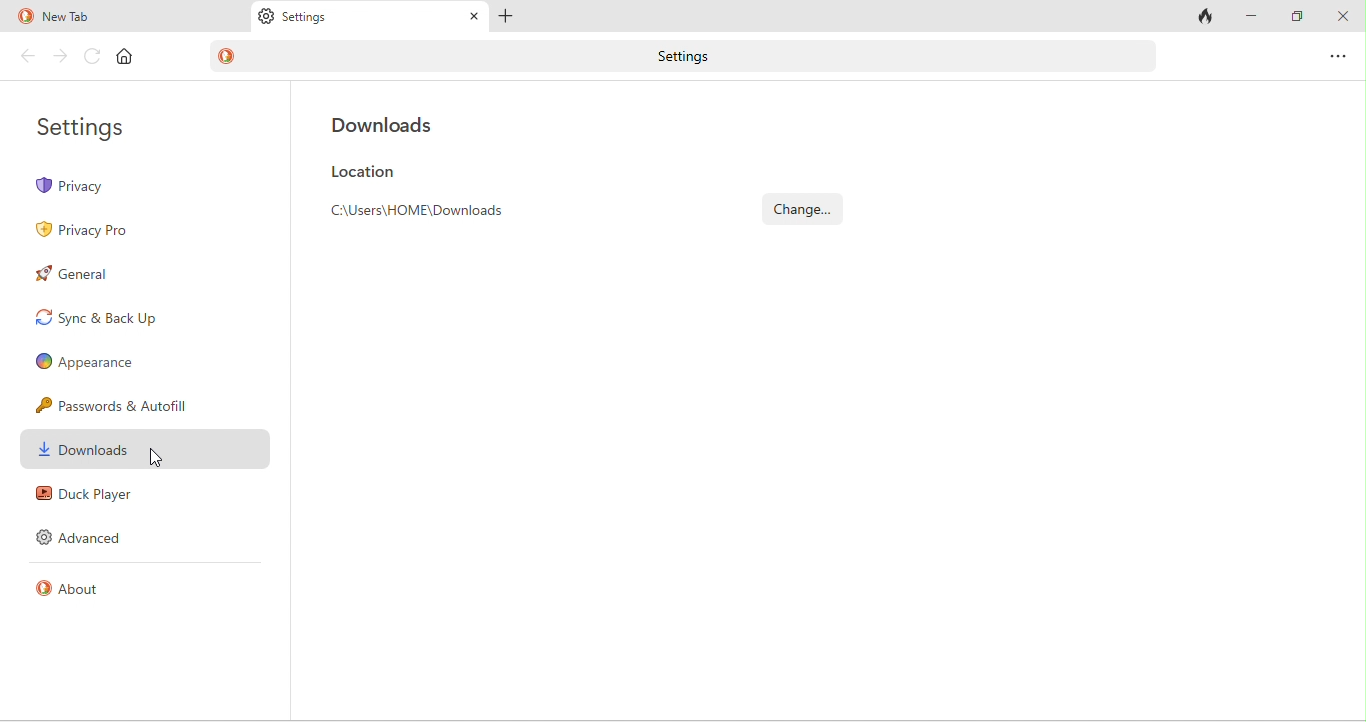 The width and height of the screenshot is (1366, 722). I want to click on back, so click(23, 57).